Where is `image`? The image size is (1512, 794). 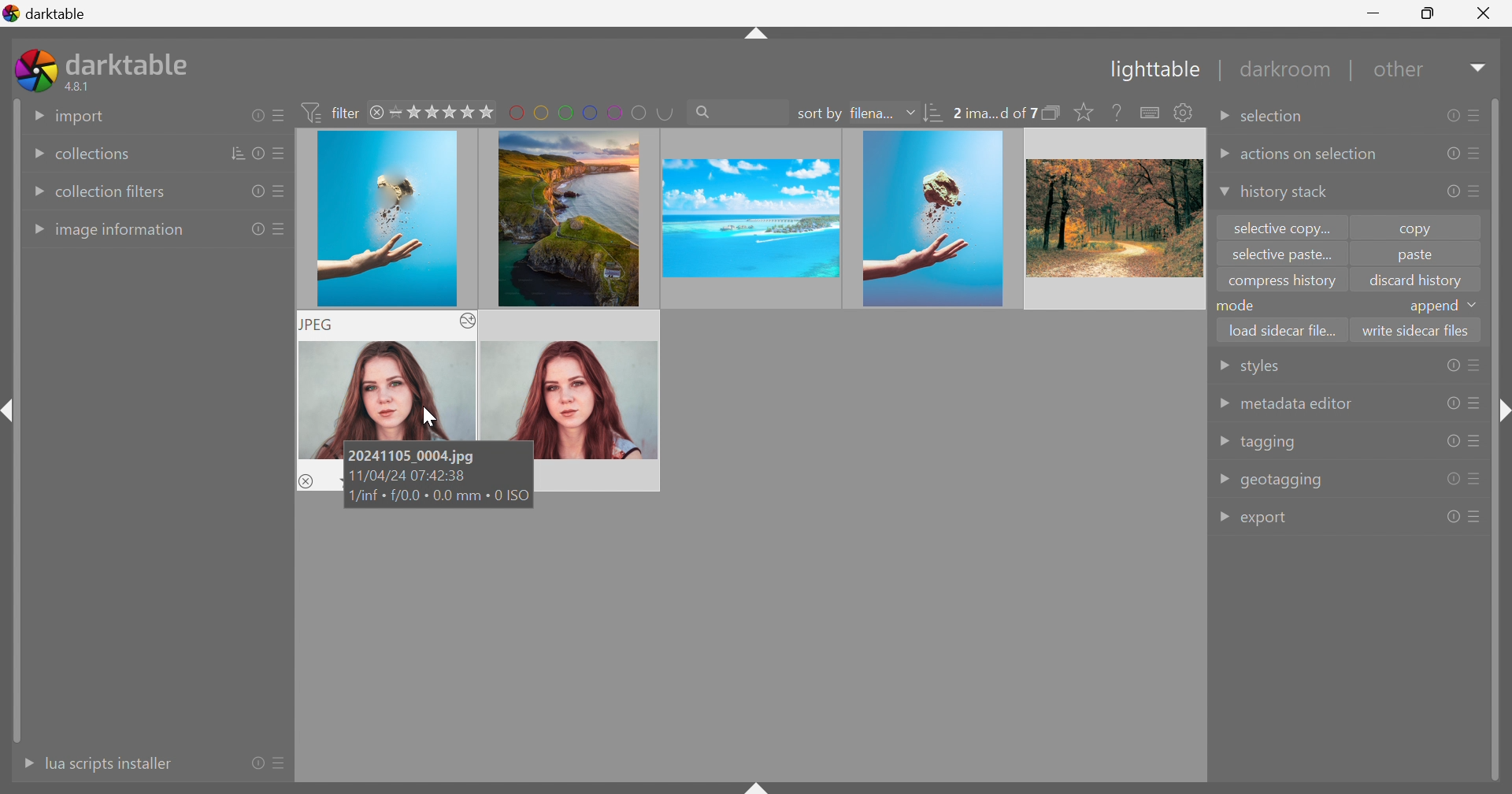 image is located at coordinates (387, 220).